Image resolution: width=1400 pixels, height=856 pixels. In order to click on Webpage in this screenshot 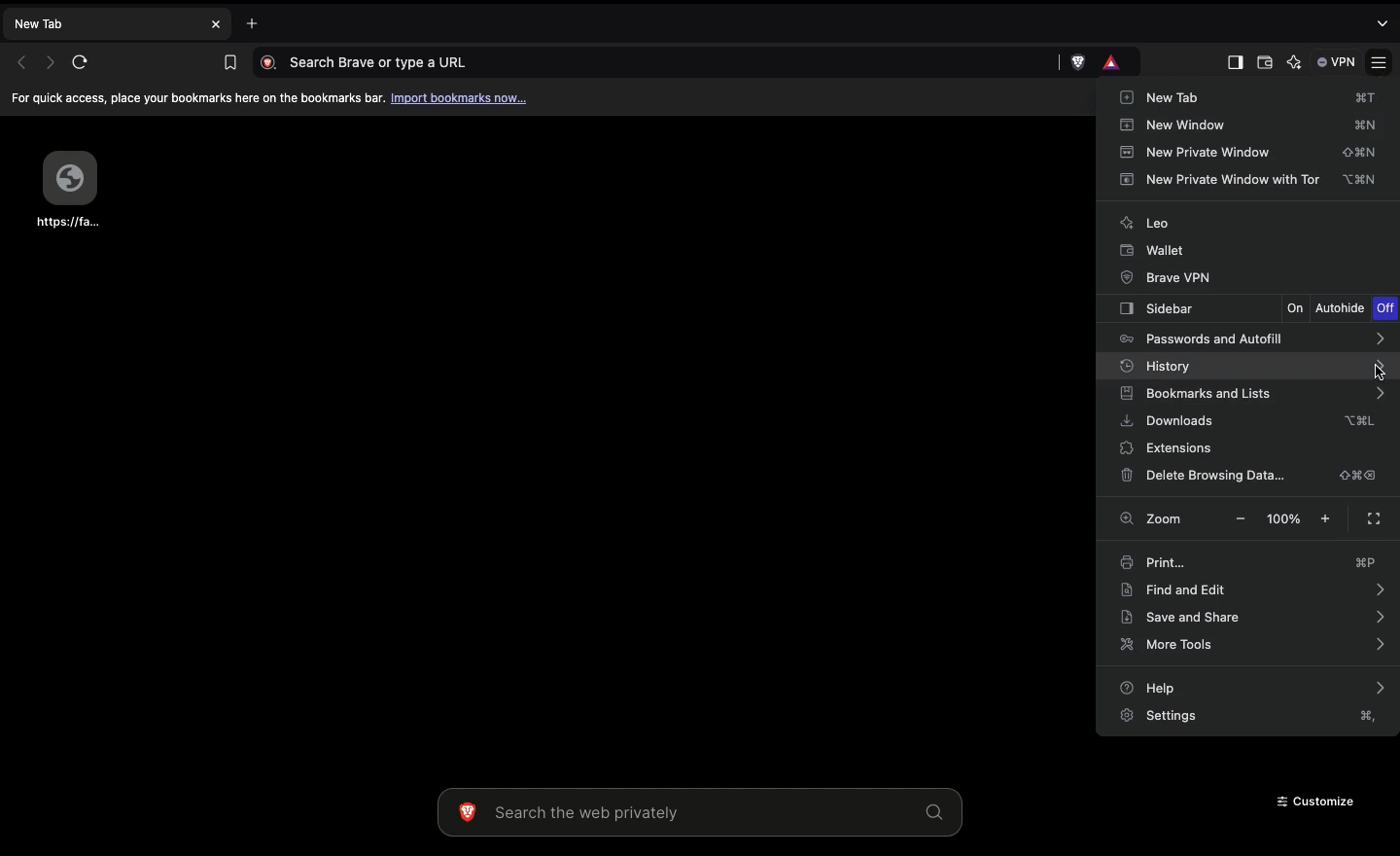, I will do `click(67, 188)`.